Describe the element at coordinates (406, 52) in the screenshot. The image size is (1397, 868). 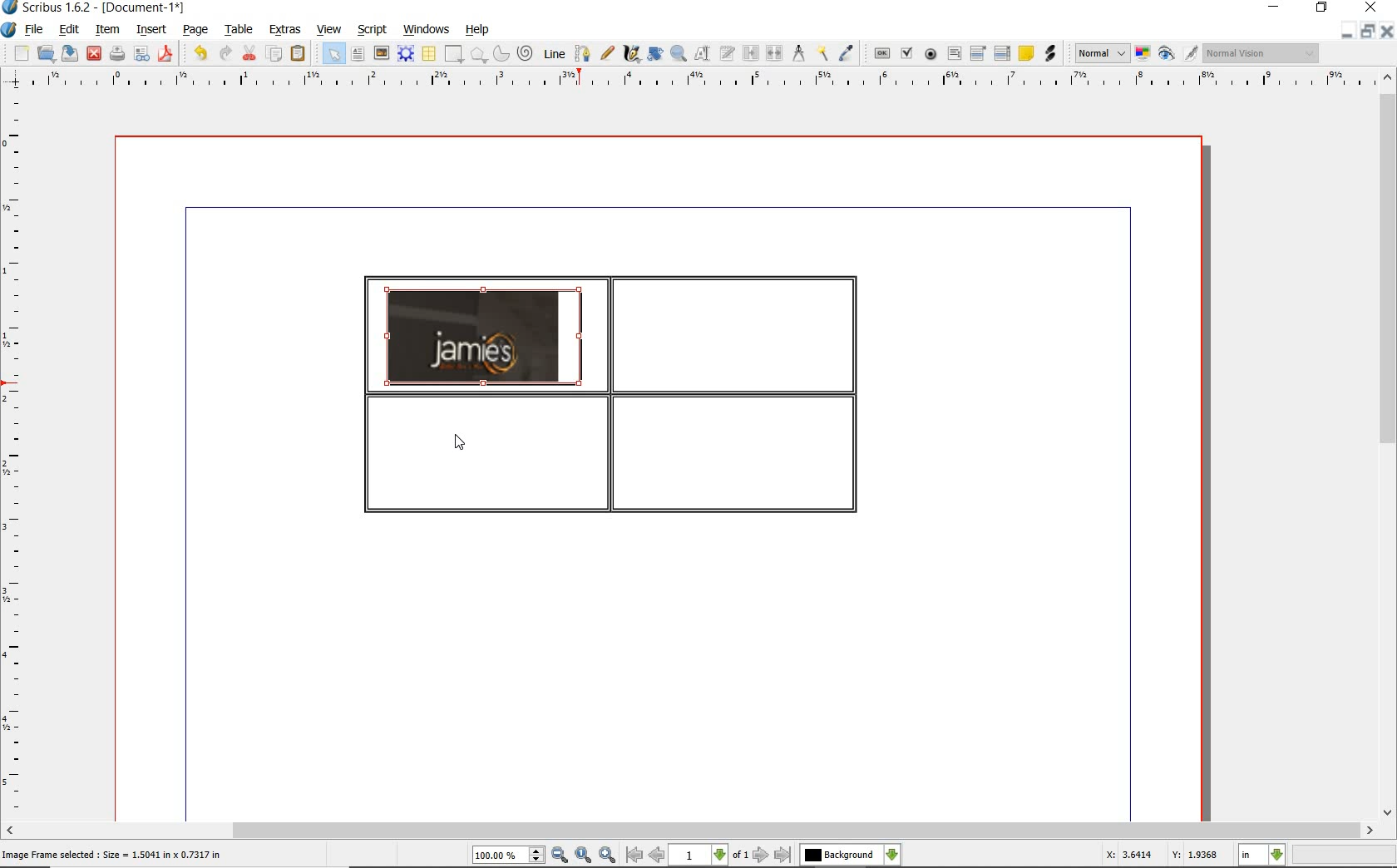
I see `render frame` at that location.